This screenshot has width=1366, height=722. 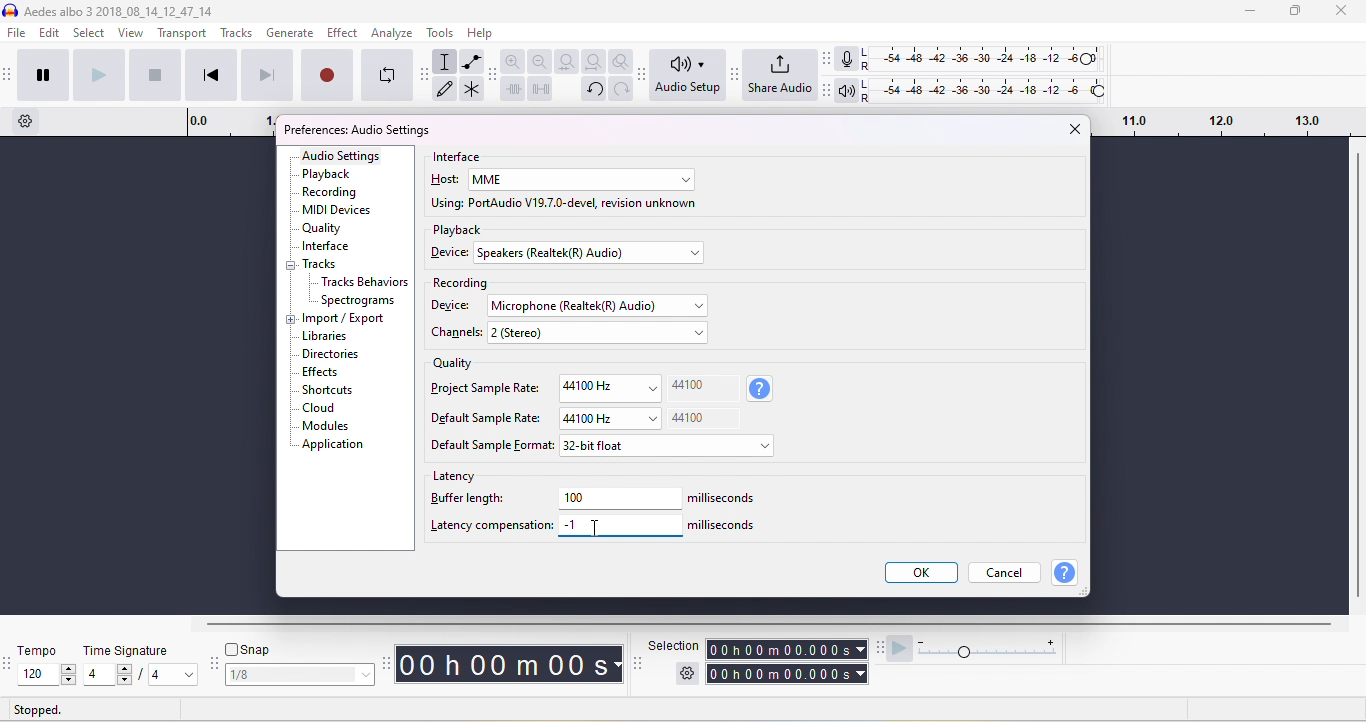 I want to click on snap, so click(x=251, y=649).